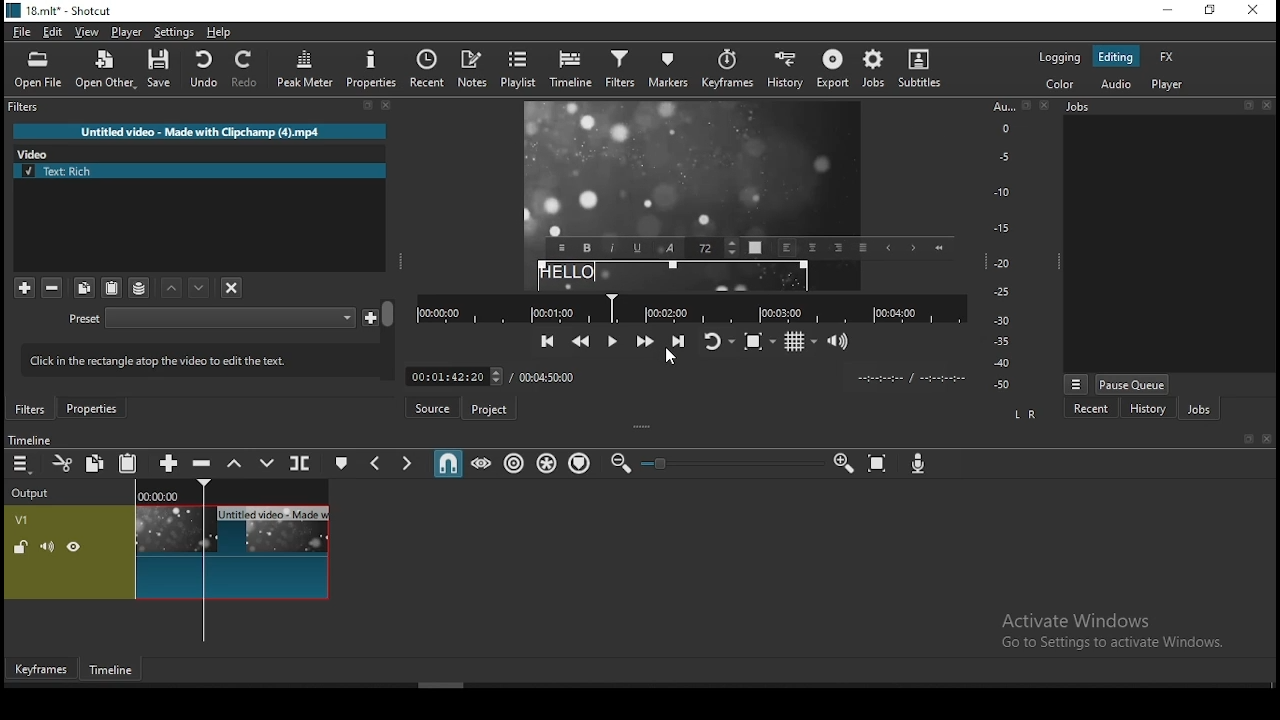 The image size is (1280, 720). What do you see at coordinates (670, 248) in the screenshot?
I see `Font Style` at bounding box center [670, 248].